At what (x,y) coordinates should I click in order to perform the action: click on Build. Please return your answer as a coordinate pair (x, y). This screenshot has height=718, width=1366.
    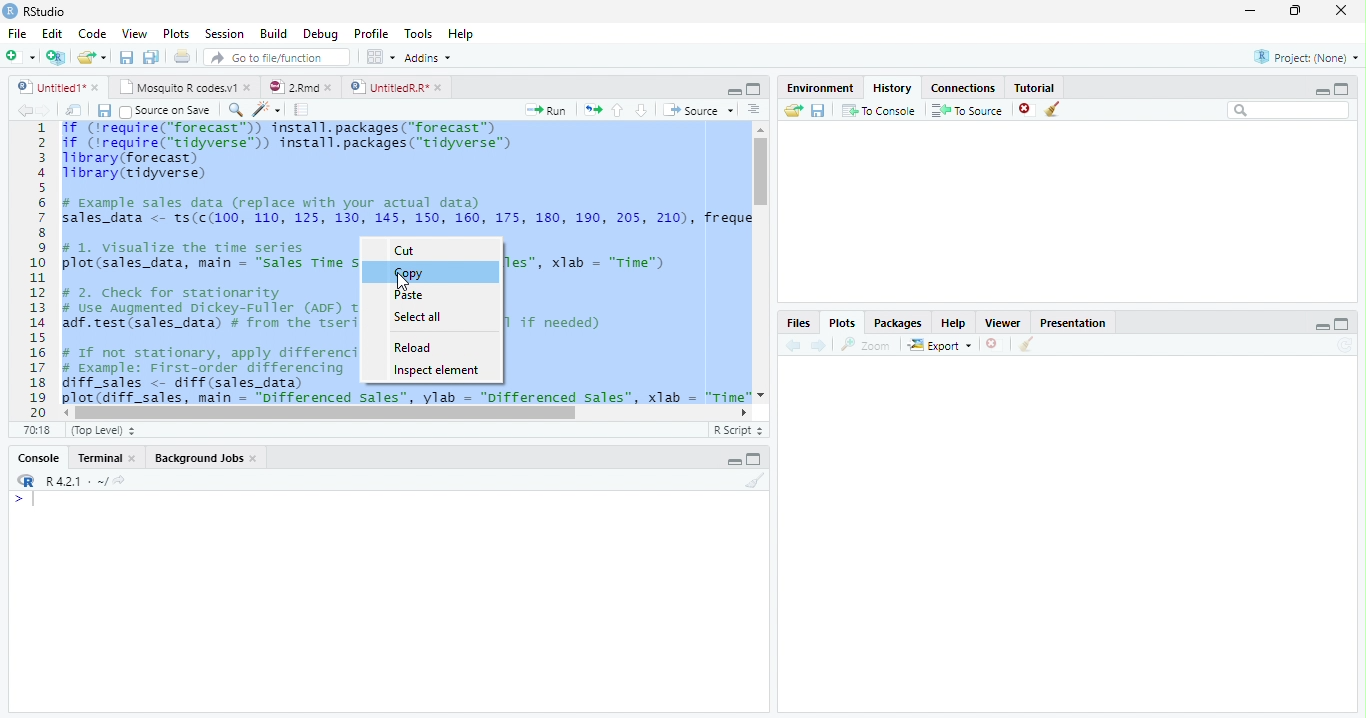
    Looking at the image, I should click on (274, 33).